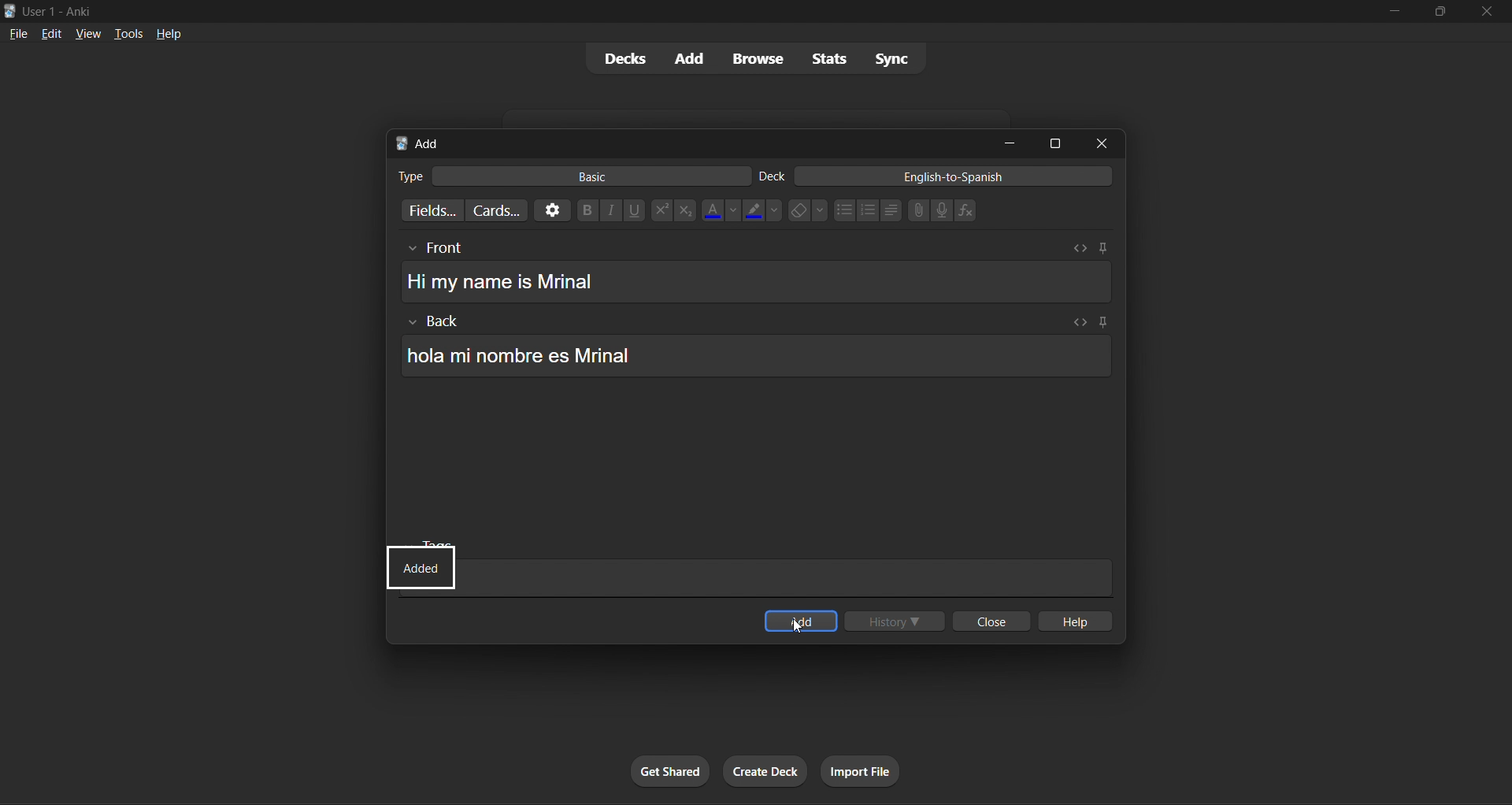 The width and height of the screenshot is (1512, 805). I want to click on decks, so click(623, 58).